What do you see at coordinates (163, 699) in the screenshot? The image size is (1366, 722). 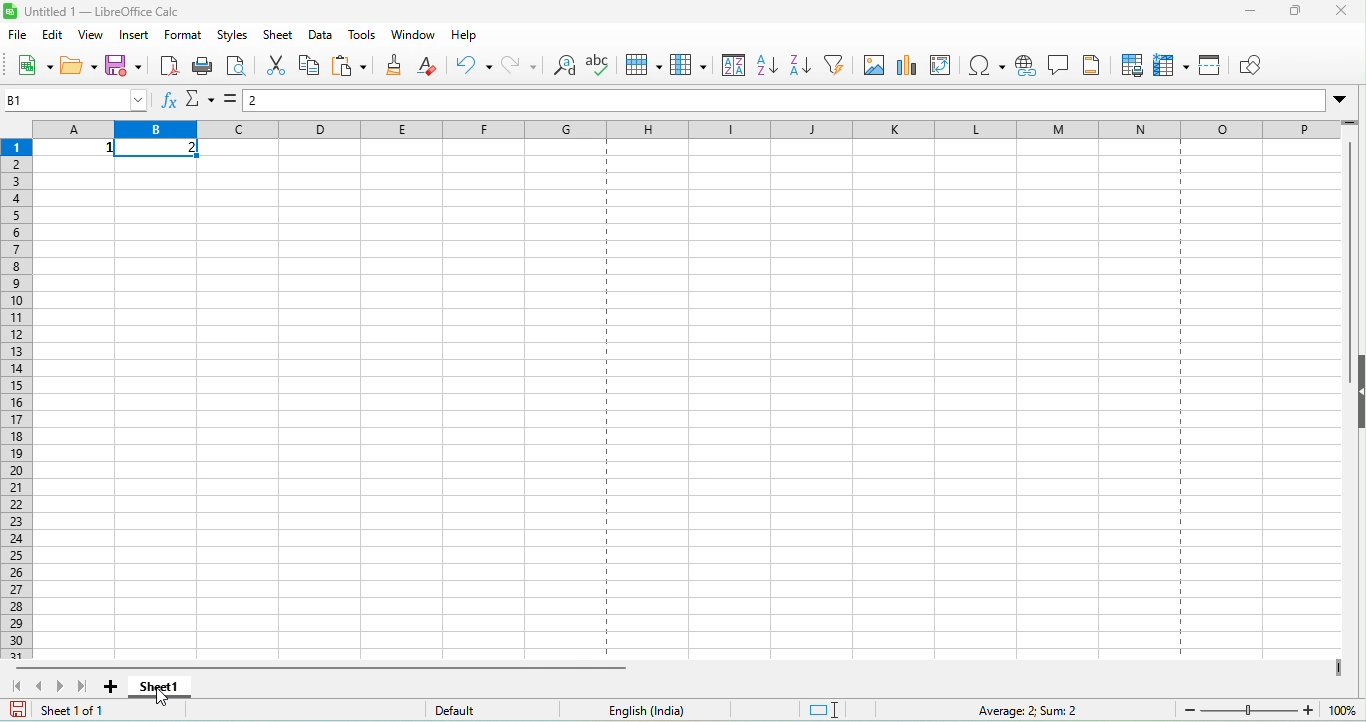 I see `cursor` at bounding box center [163, 699].